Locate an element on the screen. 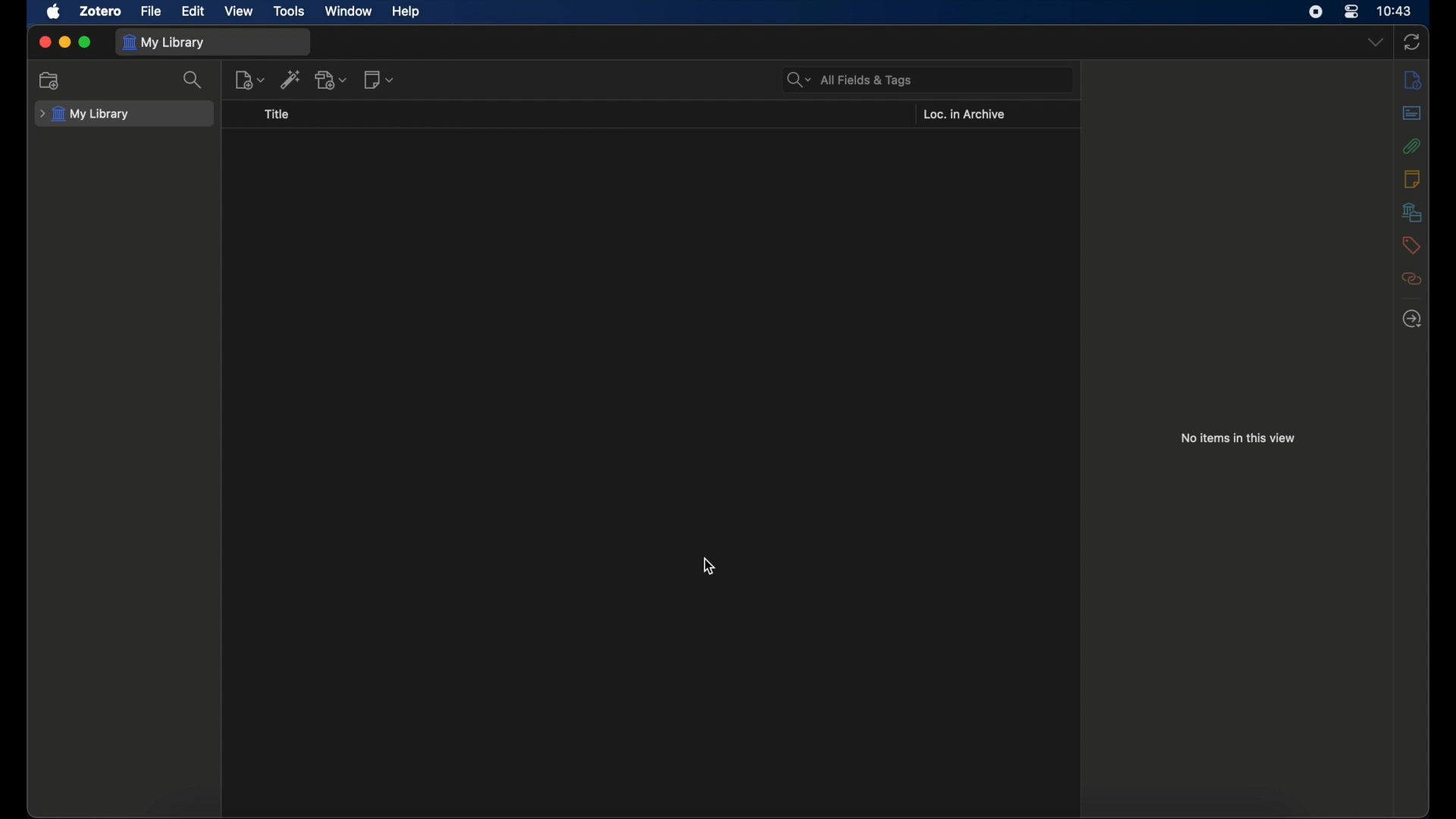  file is located at coordinates (153, 11).